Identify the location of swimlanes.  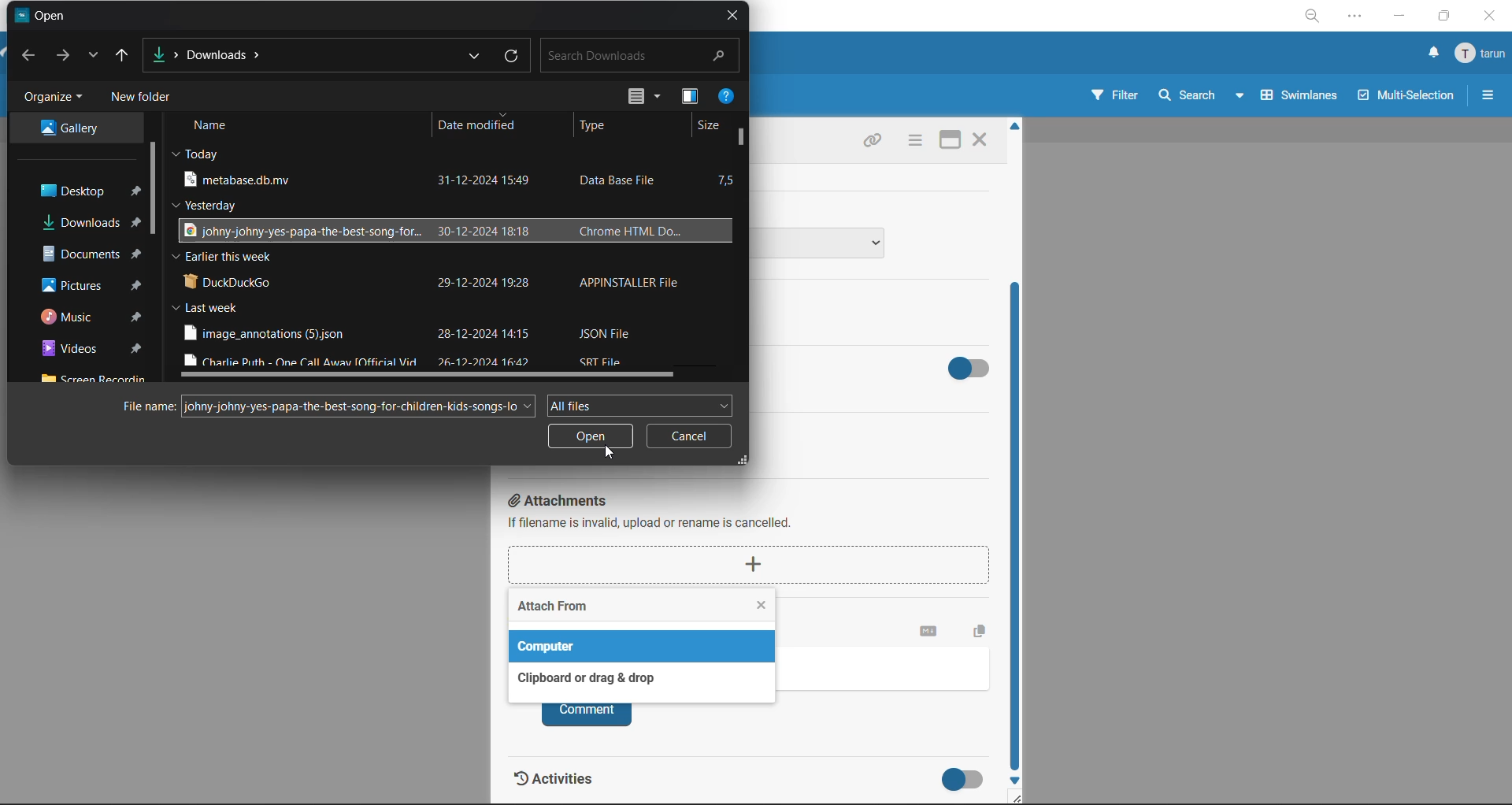
(1300, 95).